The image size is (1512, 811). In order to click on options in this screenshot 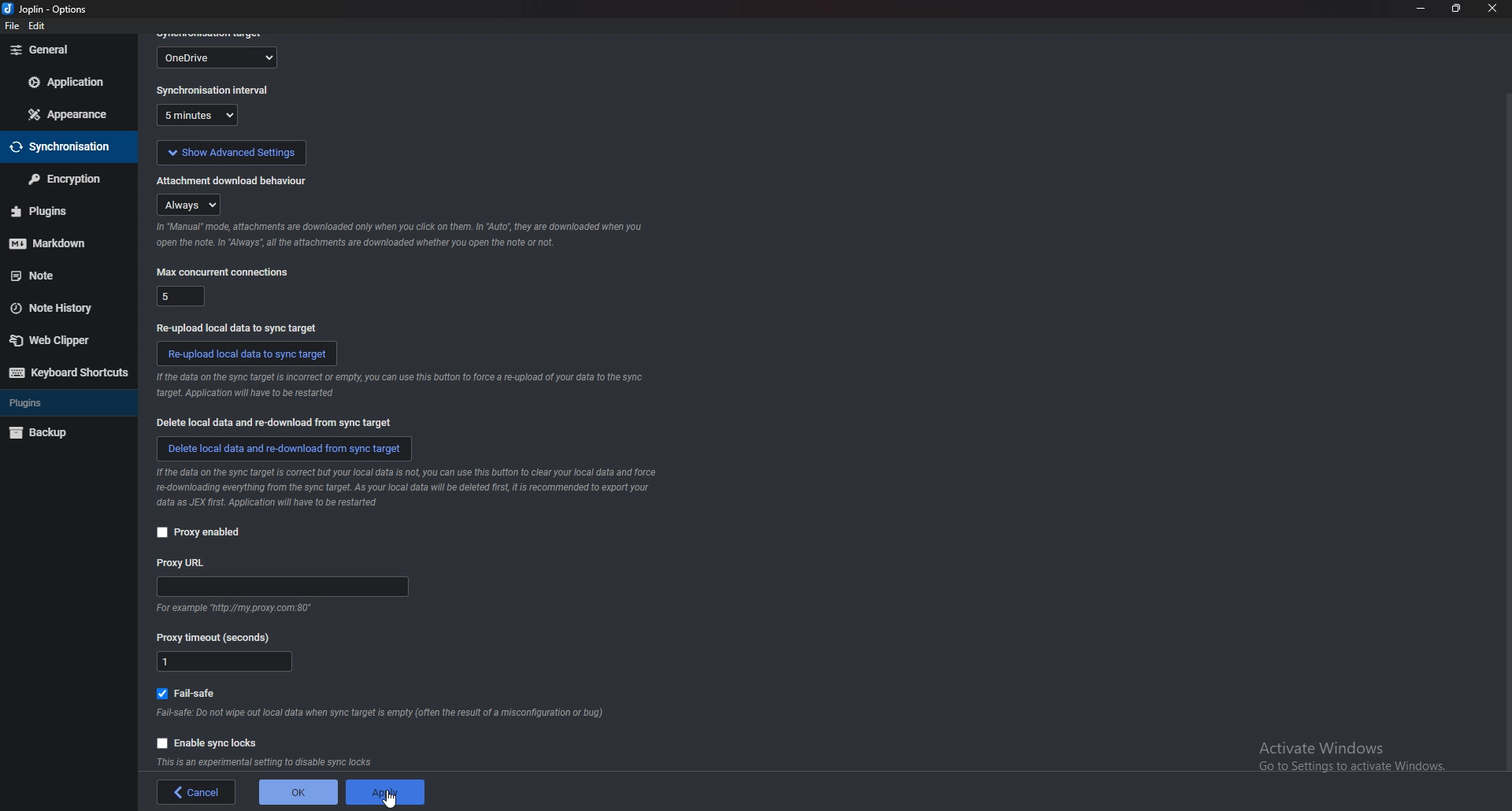, I will do `click(48, 9)`.